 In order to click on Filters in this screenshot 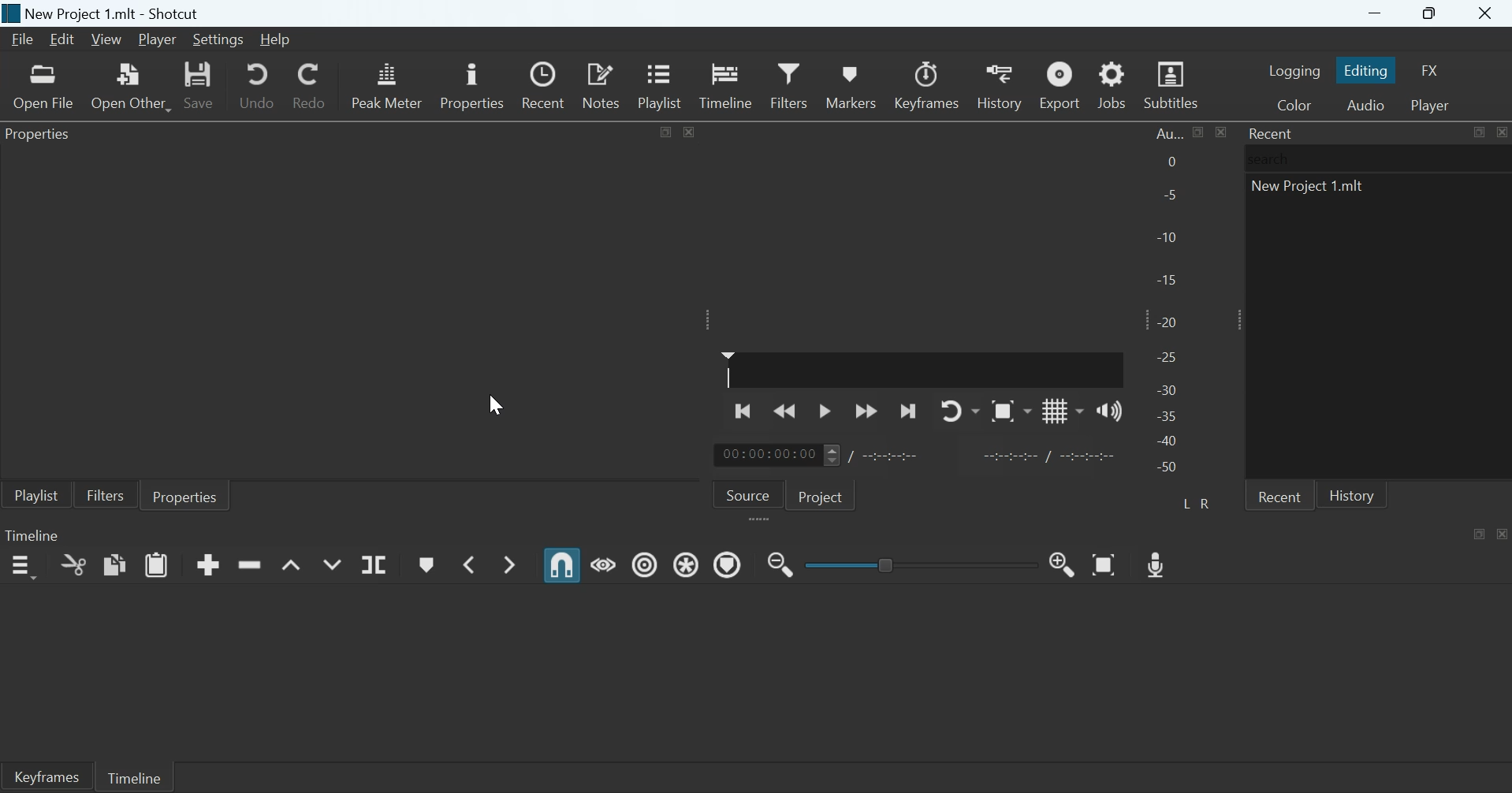, I will do `click(105, 494)`.